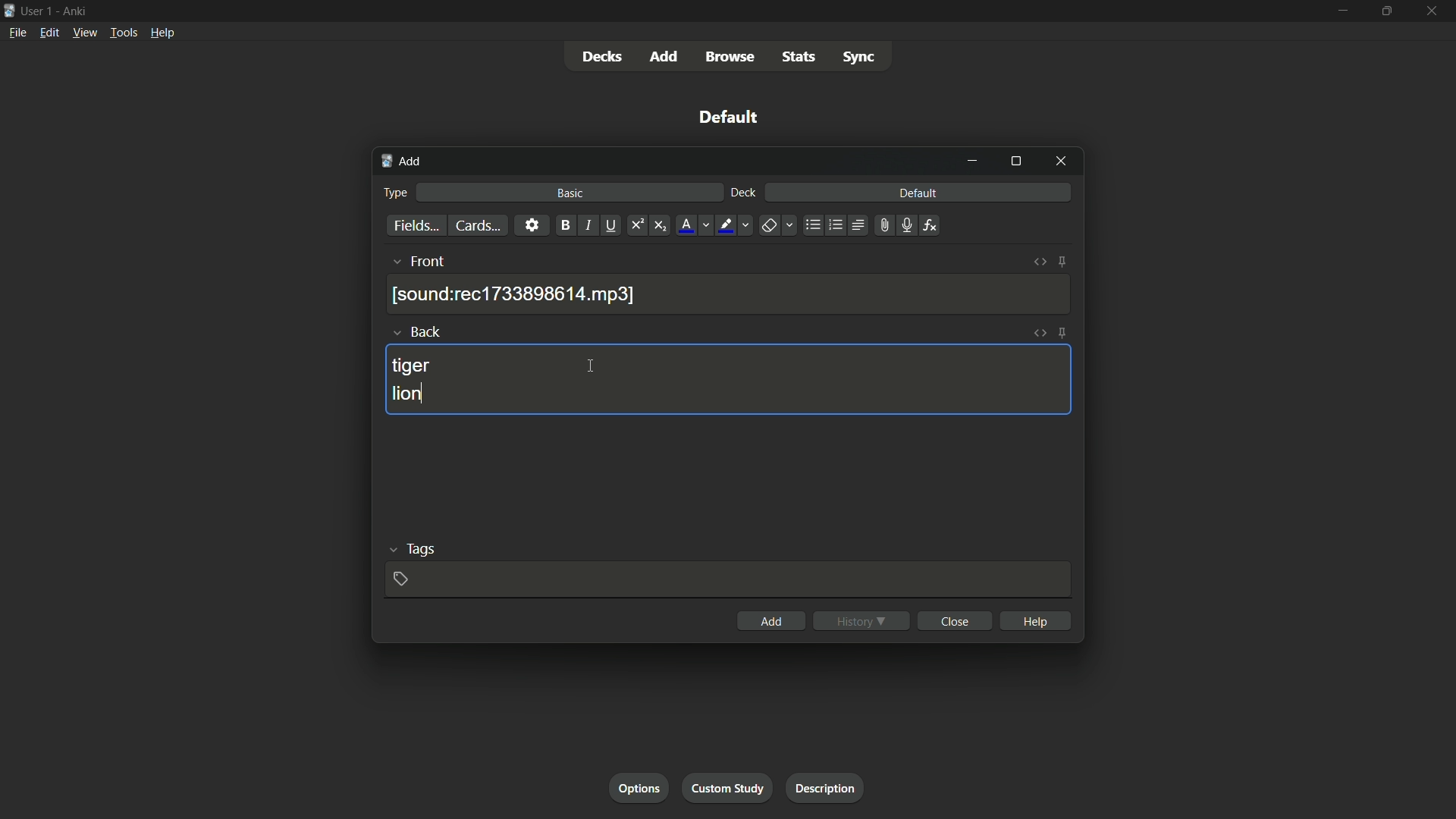 This screenshot has height=819, width=1456. I want to click on app icon, so click(9, 9).